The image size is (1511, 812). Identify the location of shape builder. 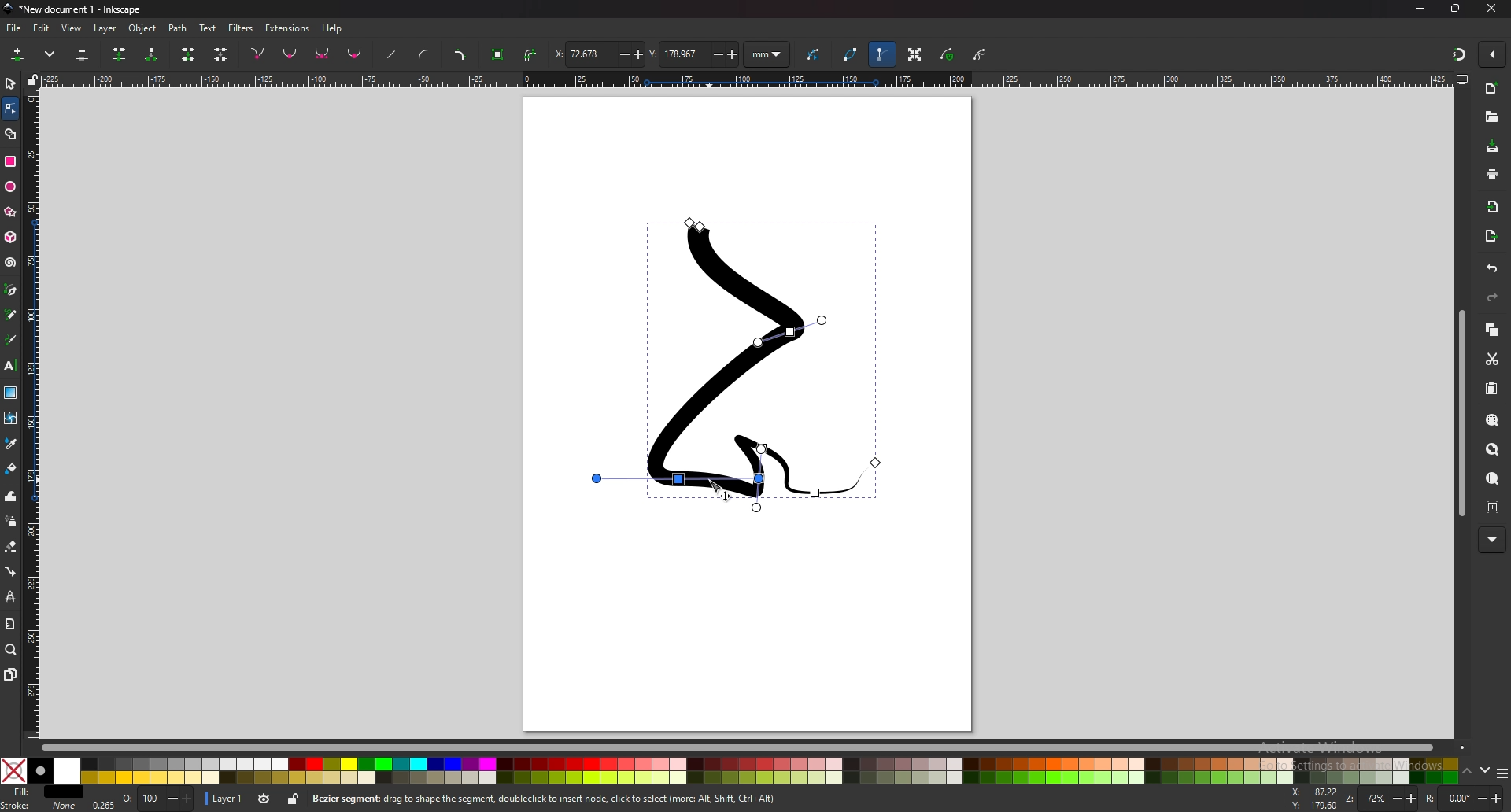
(12, 134).